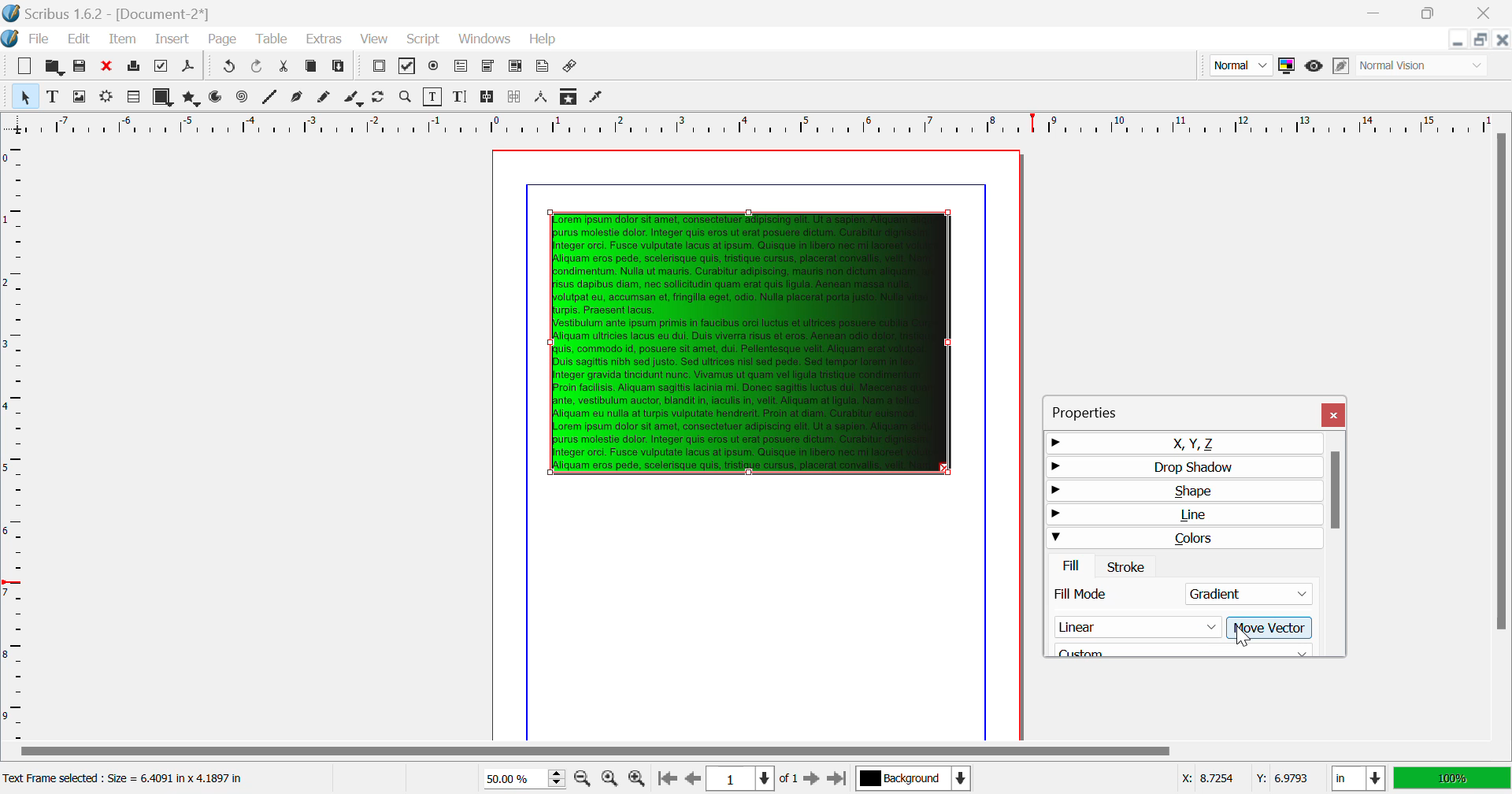 This screenshot has height=794, width=1512. What do you see at coordinates (570, 96) in the screenshot?
I see `Copy Item Properties` at bounding box center [570, 96].